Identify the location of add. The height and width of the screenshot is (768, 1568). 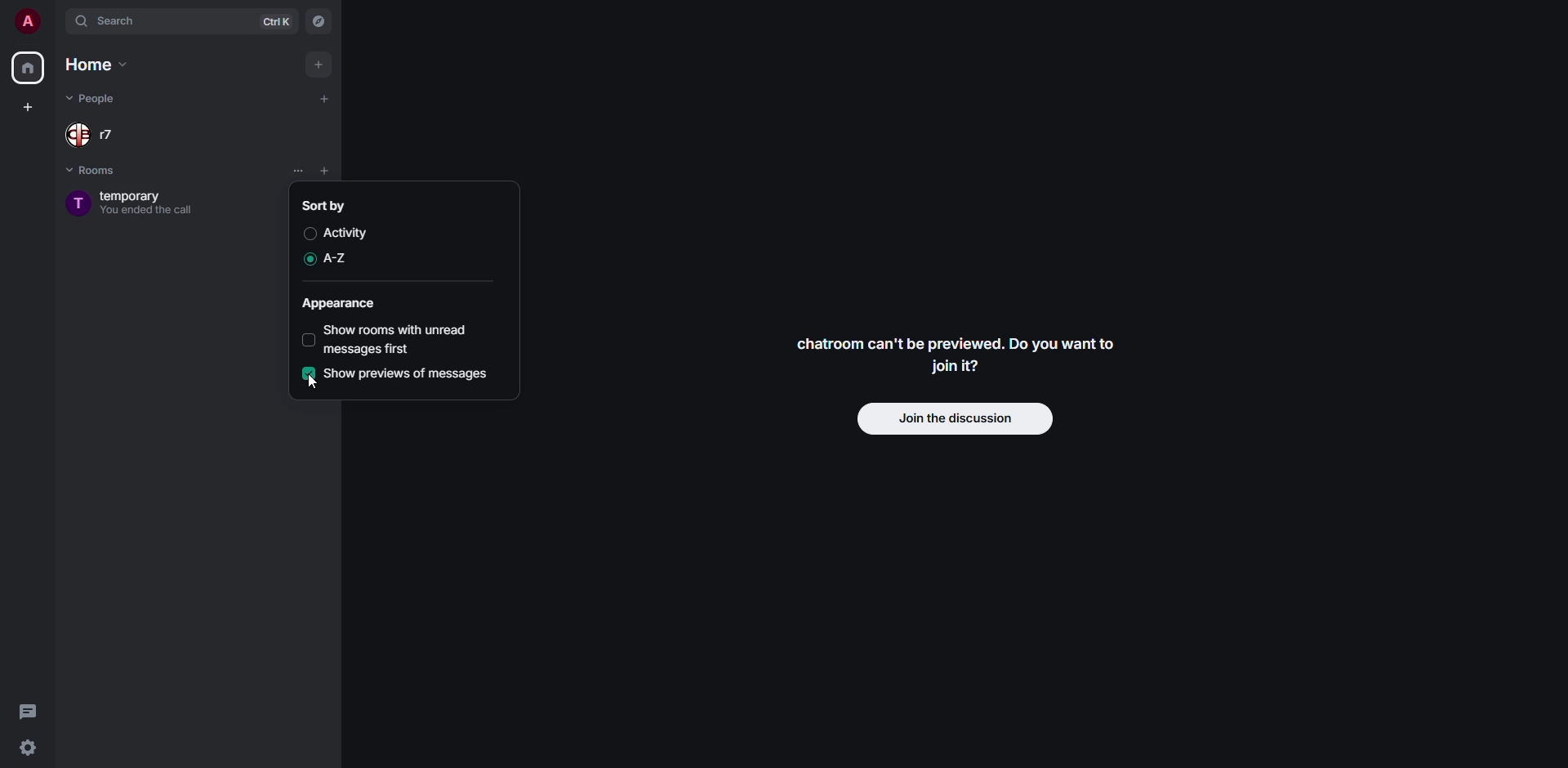
(323, 100).